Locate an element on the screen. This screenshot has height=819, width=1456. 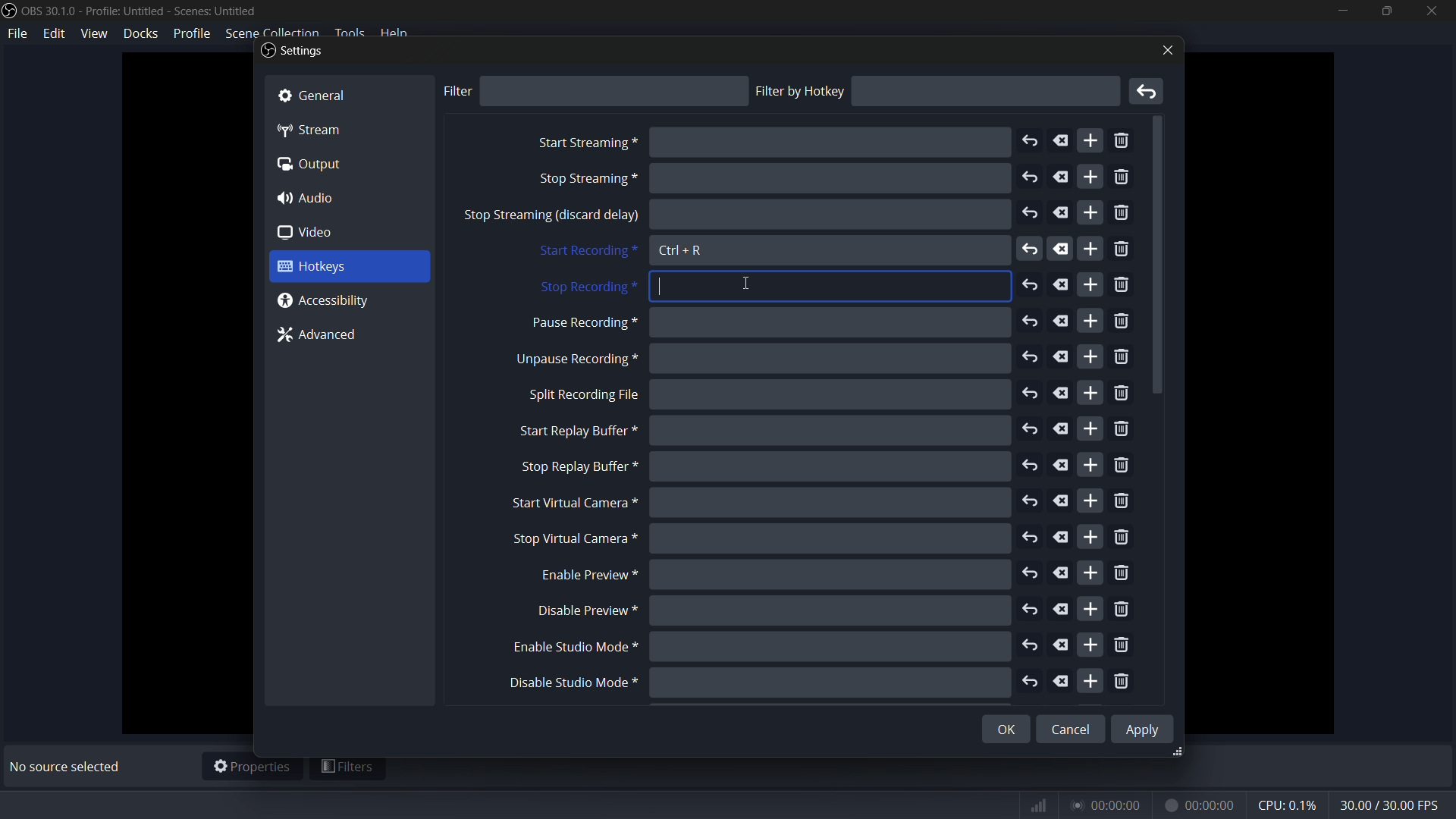
delete is located at coordinates (1062, 394).